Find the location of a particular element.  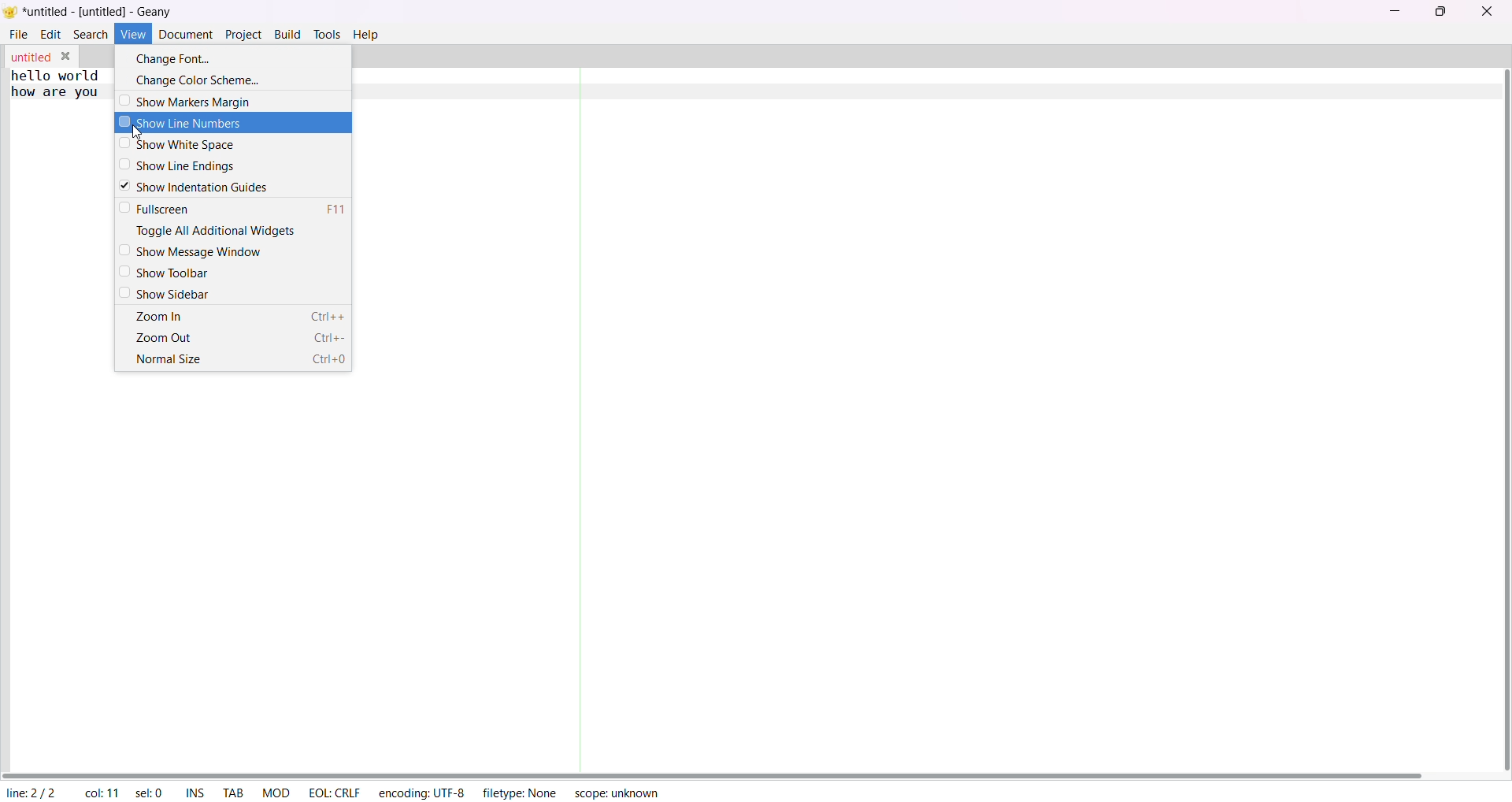

change color scheme is located at coordinates (203, 81).